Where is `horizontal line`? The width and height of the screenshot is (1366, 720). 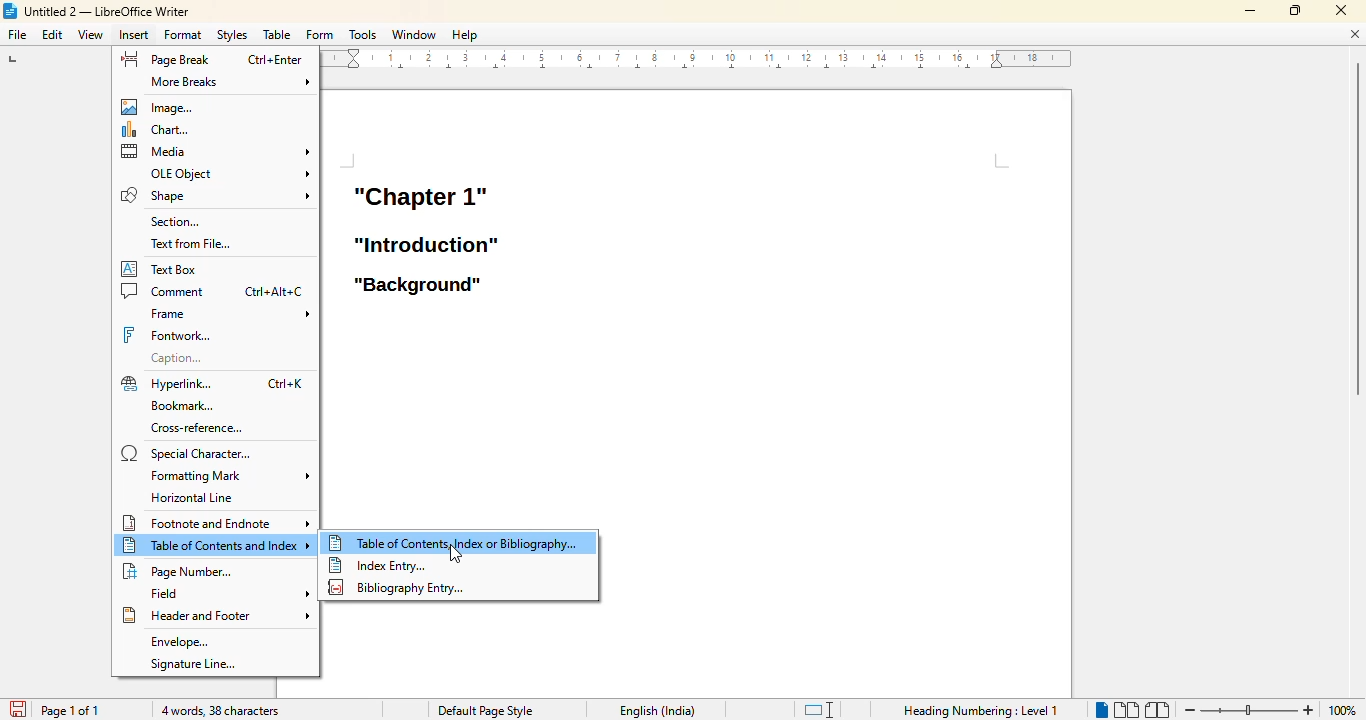
horizontal line is located at coordinates (196, 497).